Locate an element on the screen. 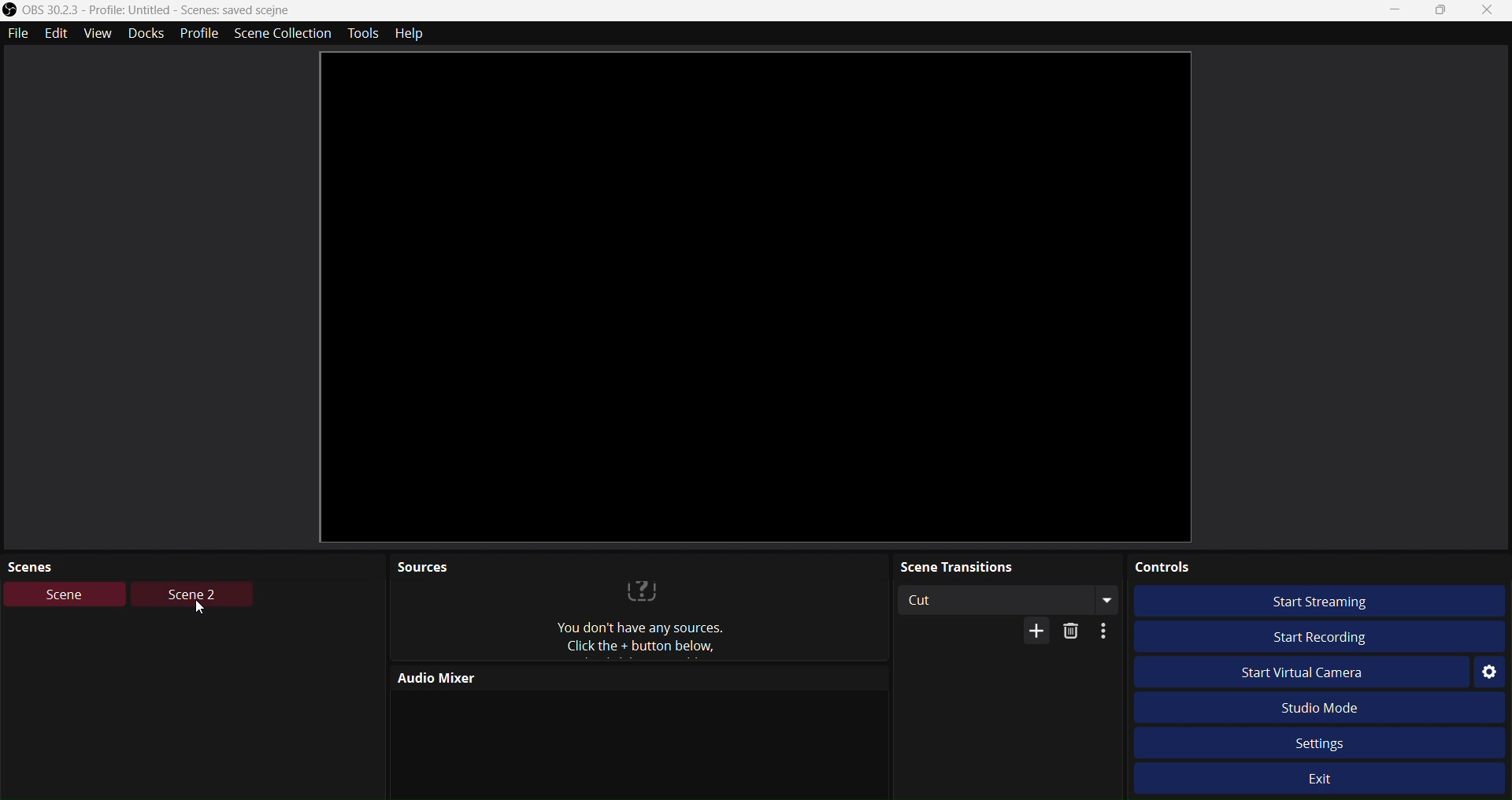 This screenshot has height=800, width=1512. Minimize is located at coordinates (1396, 12).